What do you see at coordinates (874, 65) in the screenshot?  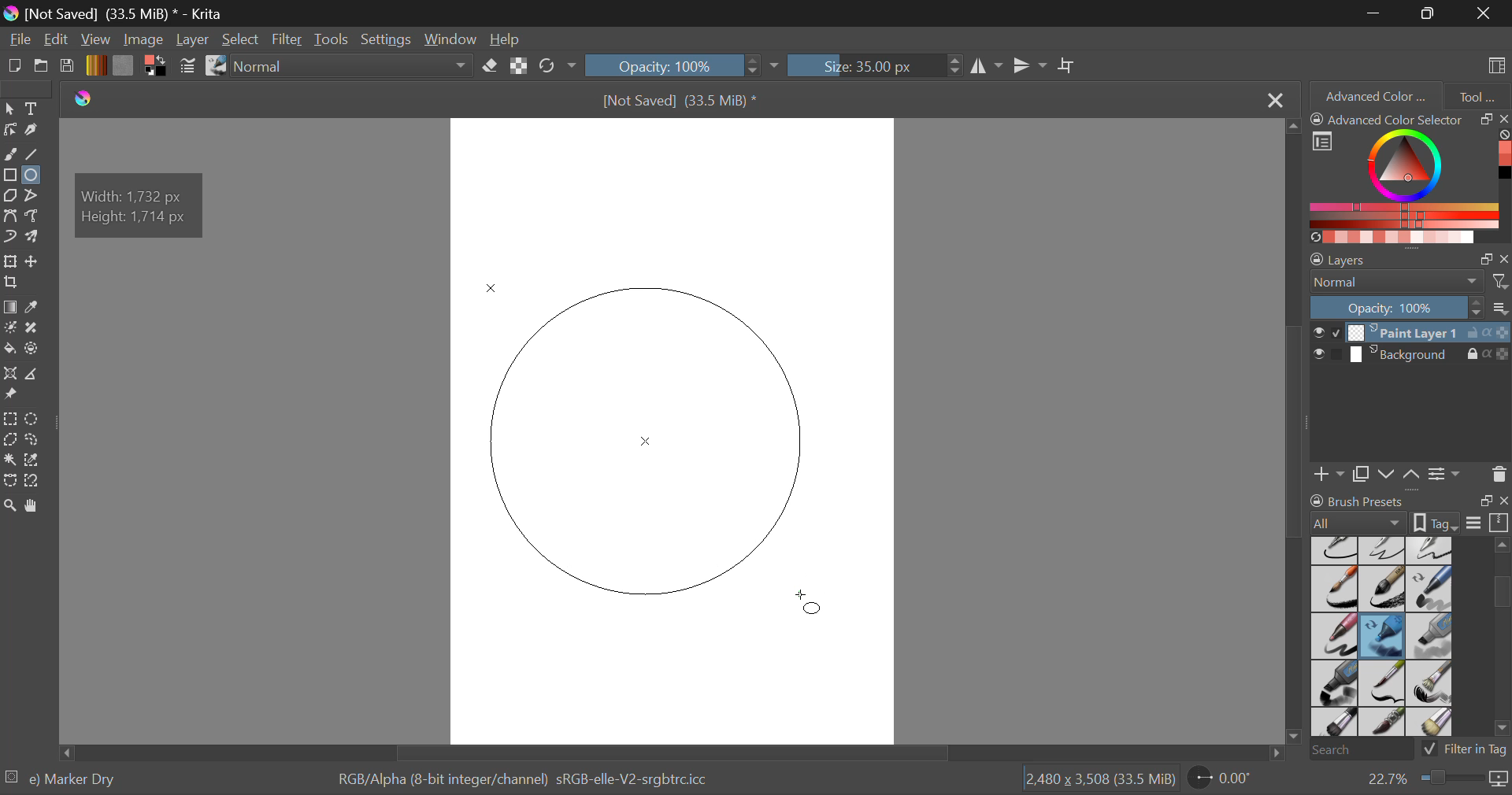 I see `Size : 35px` at bounding box center [874, 65].